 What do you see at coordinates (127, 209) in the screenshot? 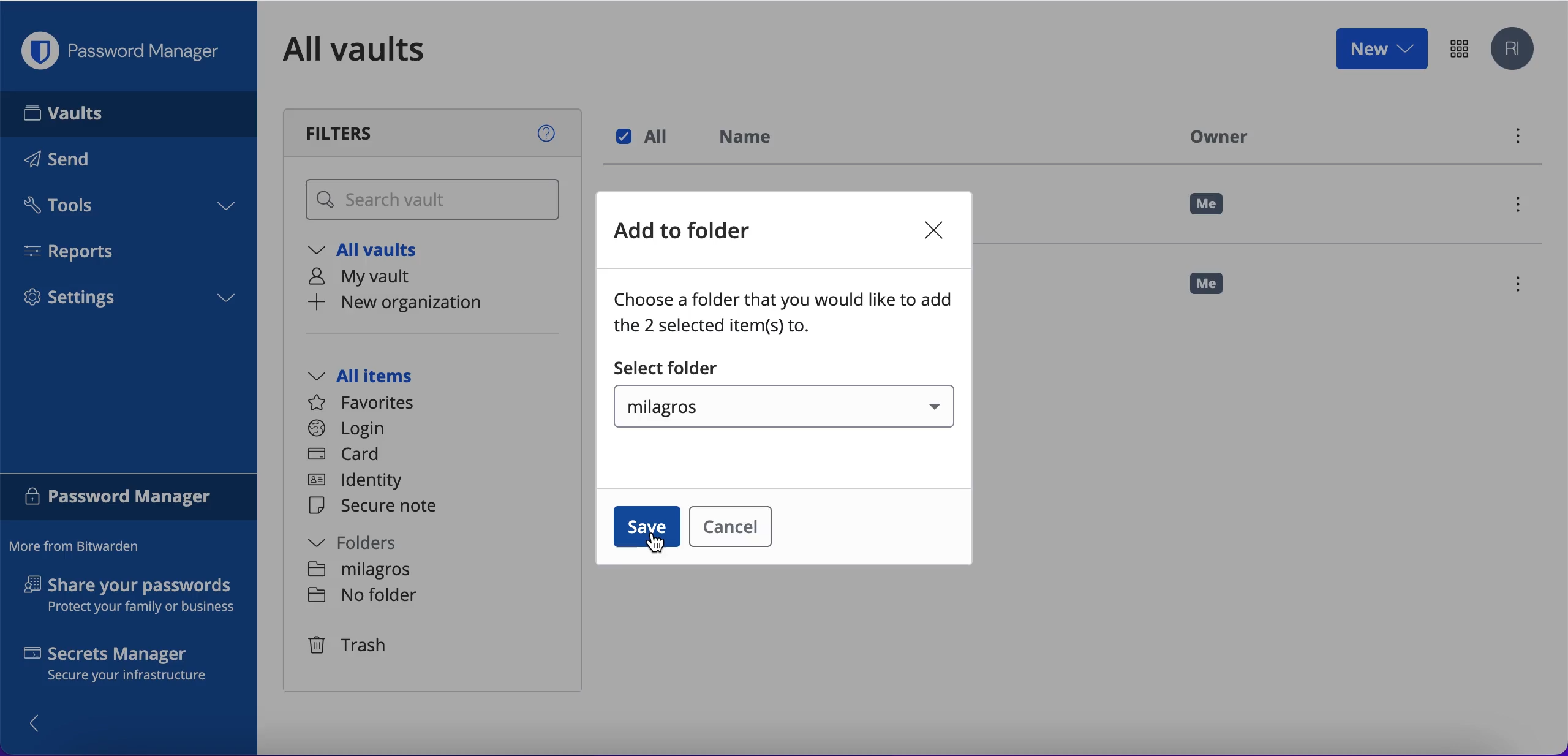
I see `tools` at bounding box center [127, 209].